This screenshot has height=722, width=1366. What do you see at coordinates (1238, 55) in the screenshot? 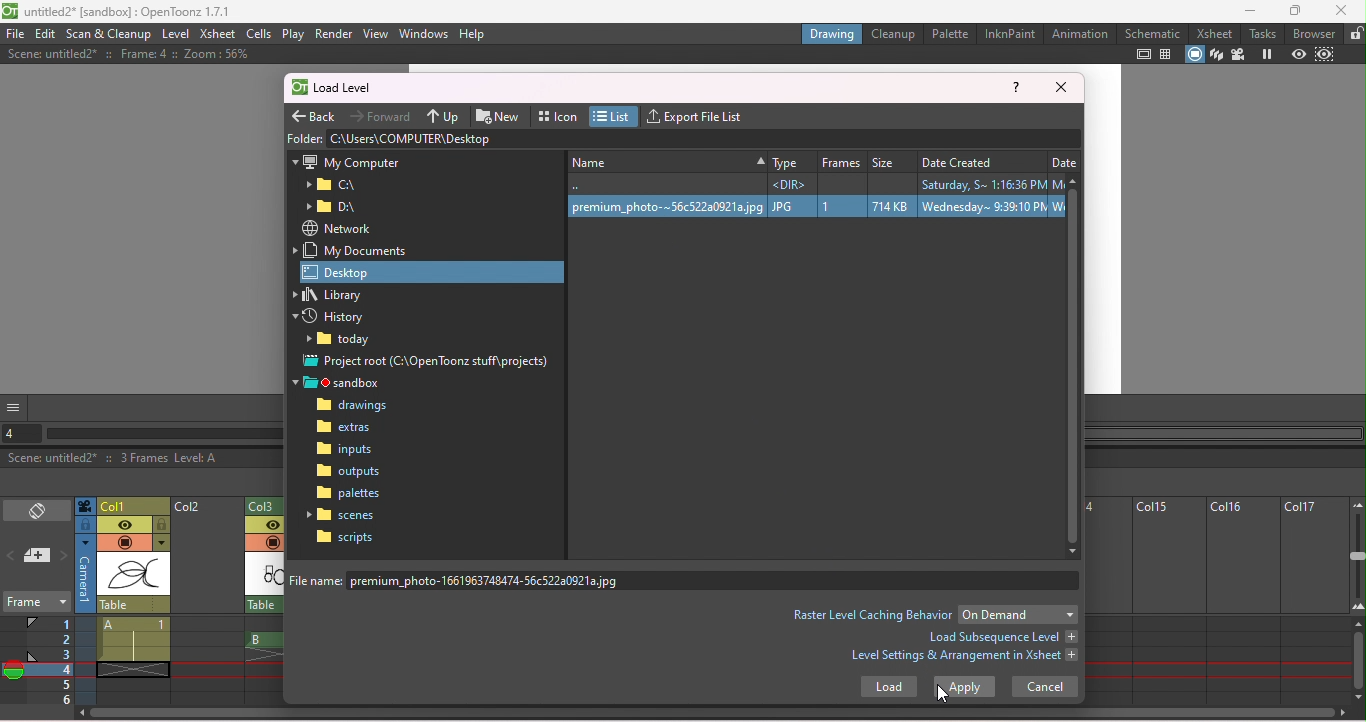
I see `Camera view` at bounding box center [1238, 55].